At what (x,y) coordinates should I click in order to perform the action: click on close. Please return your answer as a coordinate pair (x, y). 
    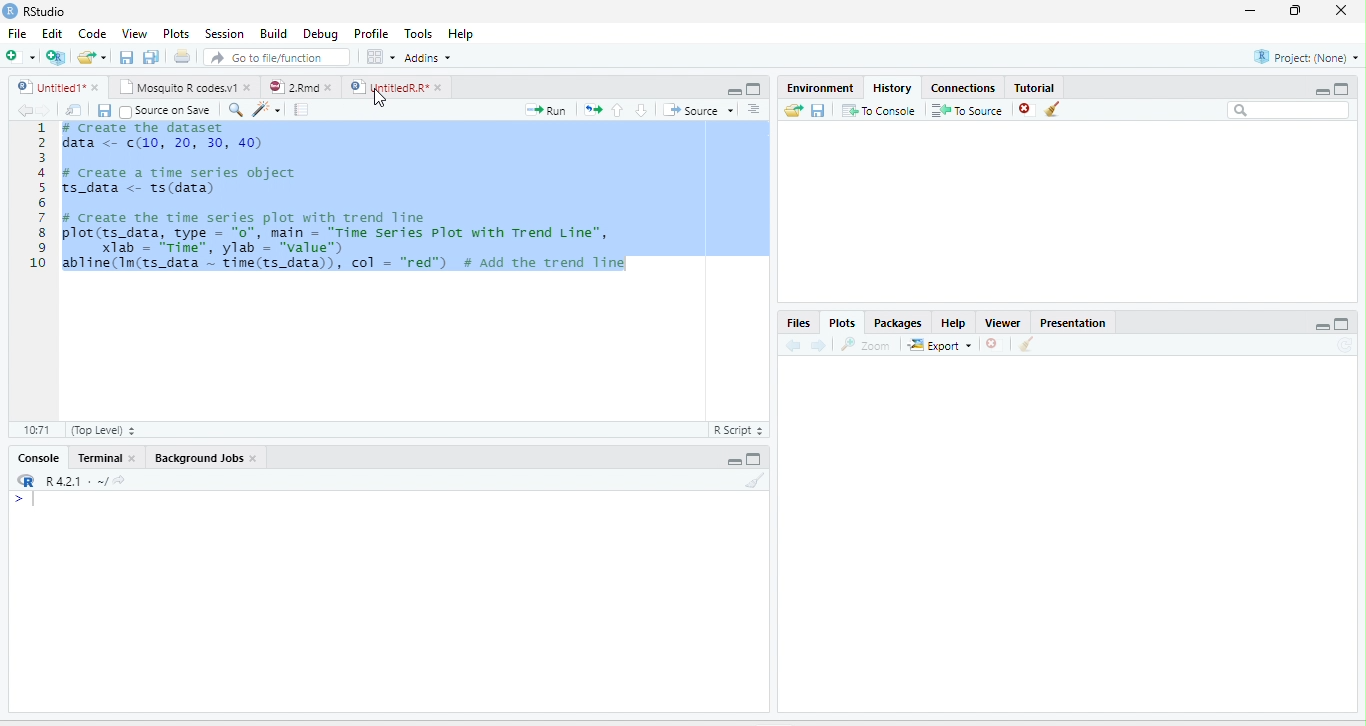
    Looking at the image, I should click on (438, 87).